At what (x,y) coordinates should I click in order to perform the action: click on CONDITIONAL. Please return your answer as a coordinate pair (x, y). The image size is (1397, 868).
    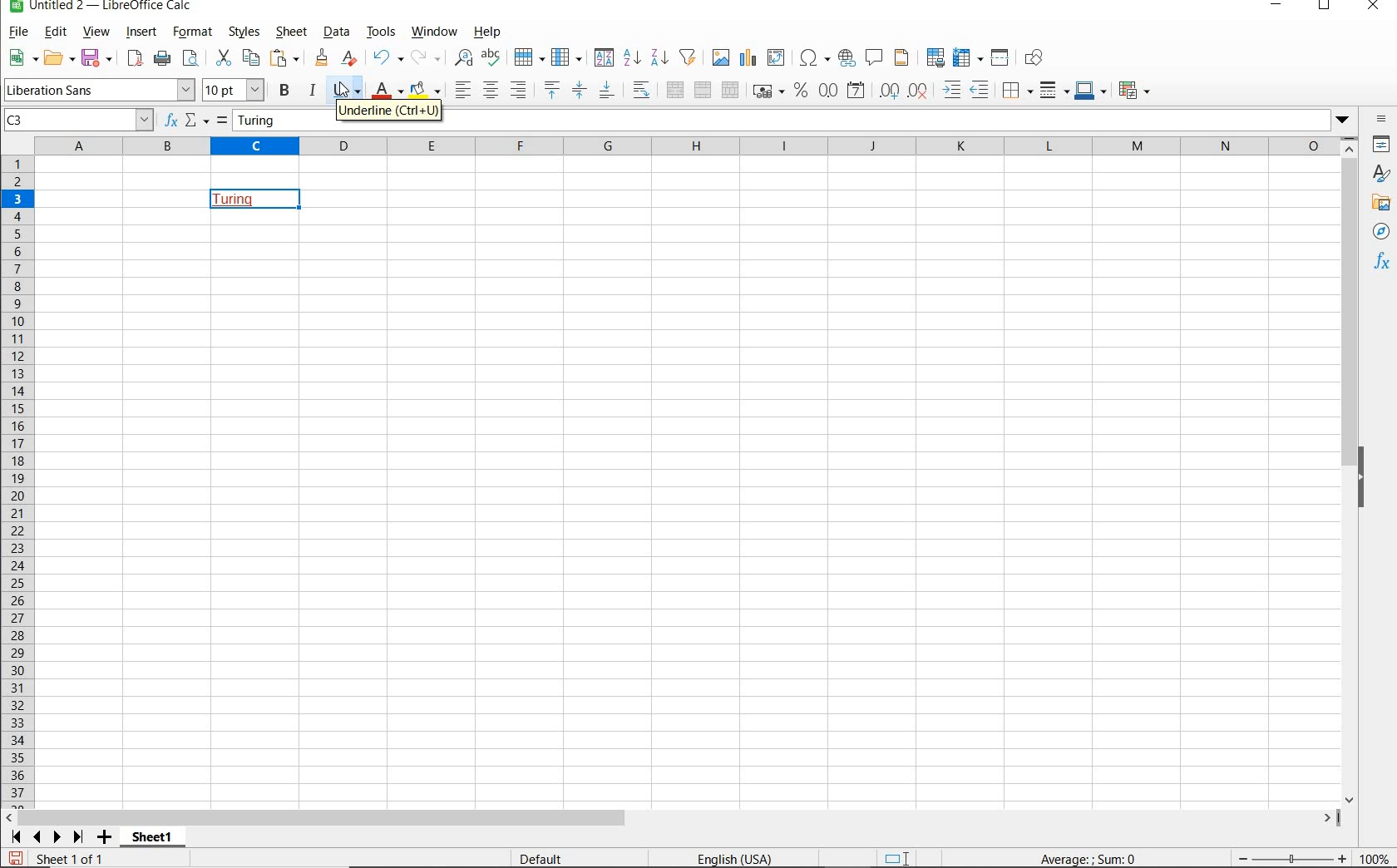
    Looking at the image, I should click on (1132, 90).